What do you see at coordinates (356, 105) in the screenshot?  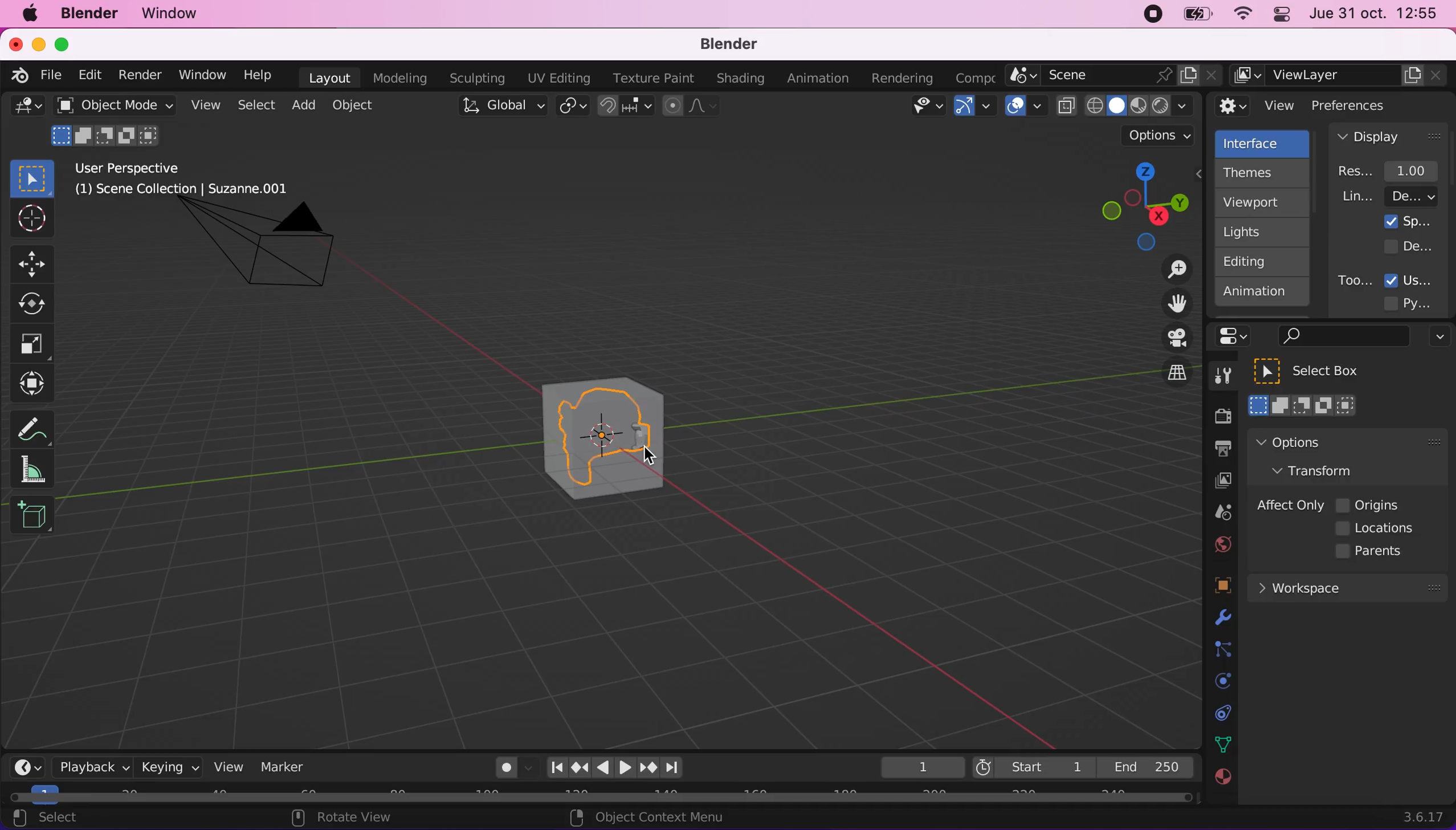 I see `object` at bounding box center [356, 105].